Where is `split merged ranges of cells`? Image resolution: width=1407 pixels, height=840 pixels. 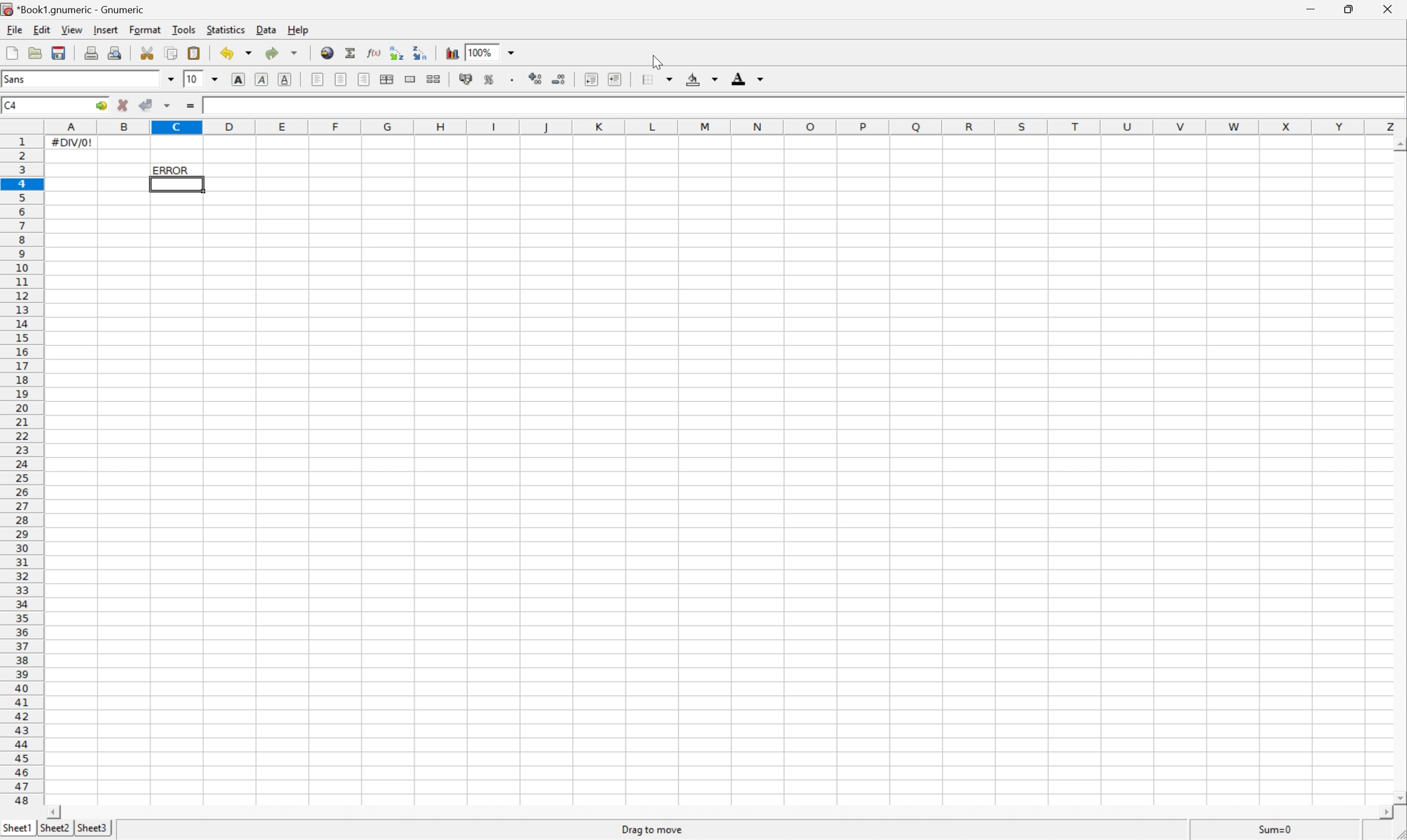 split merged ranges of cells is located at coordinates (435, 79).